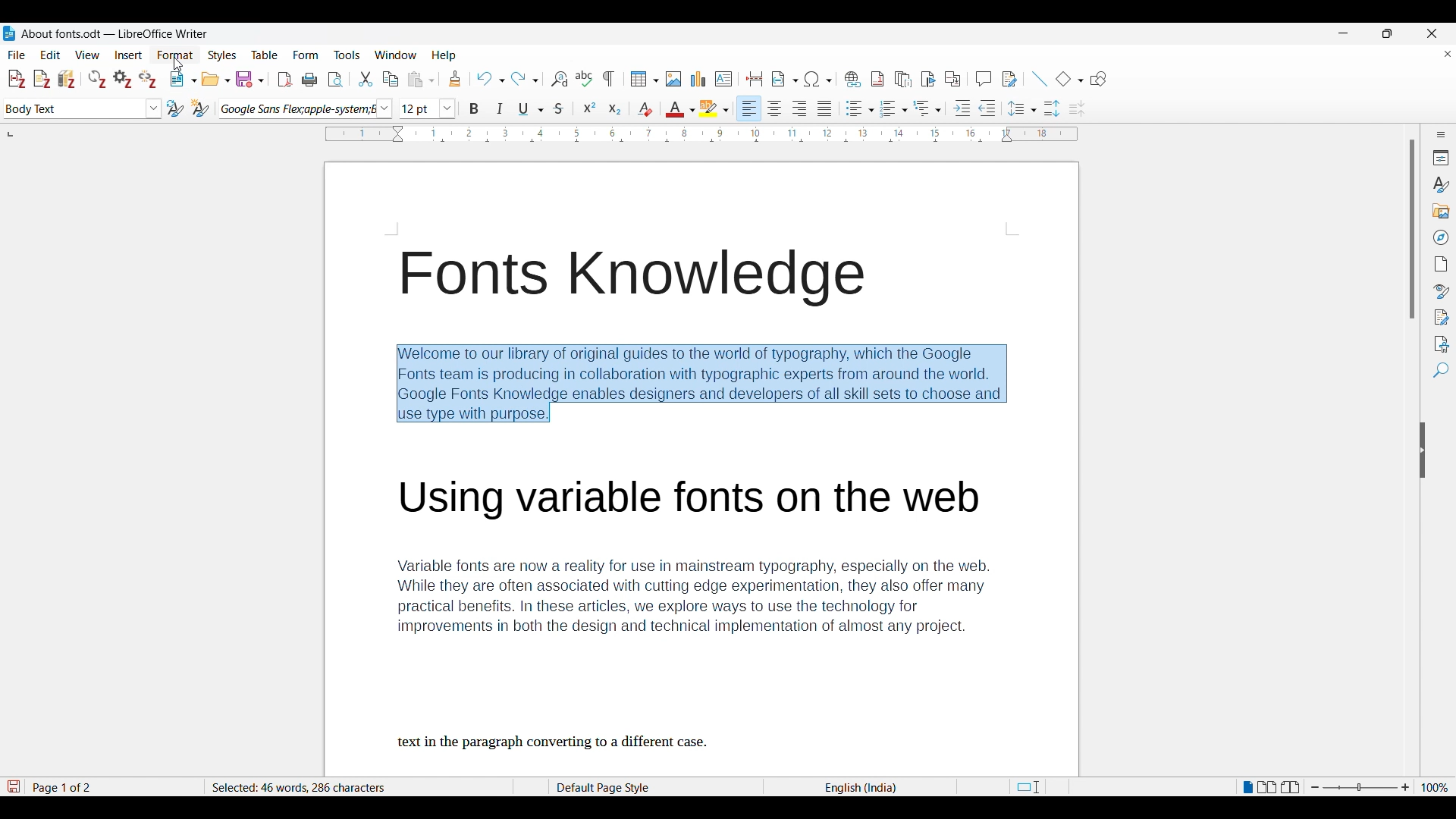 The width and height of the screenshot is (1456, 819). I want to click on View menu, so click(88, 55).